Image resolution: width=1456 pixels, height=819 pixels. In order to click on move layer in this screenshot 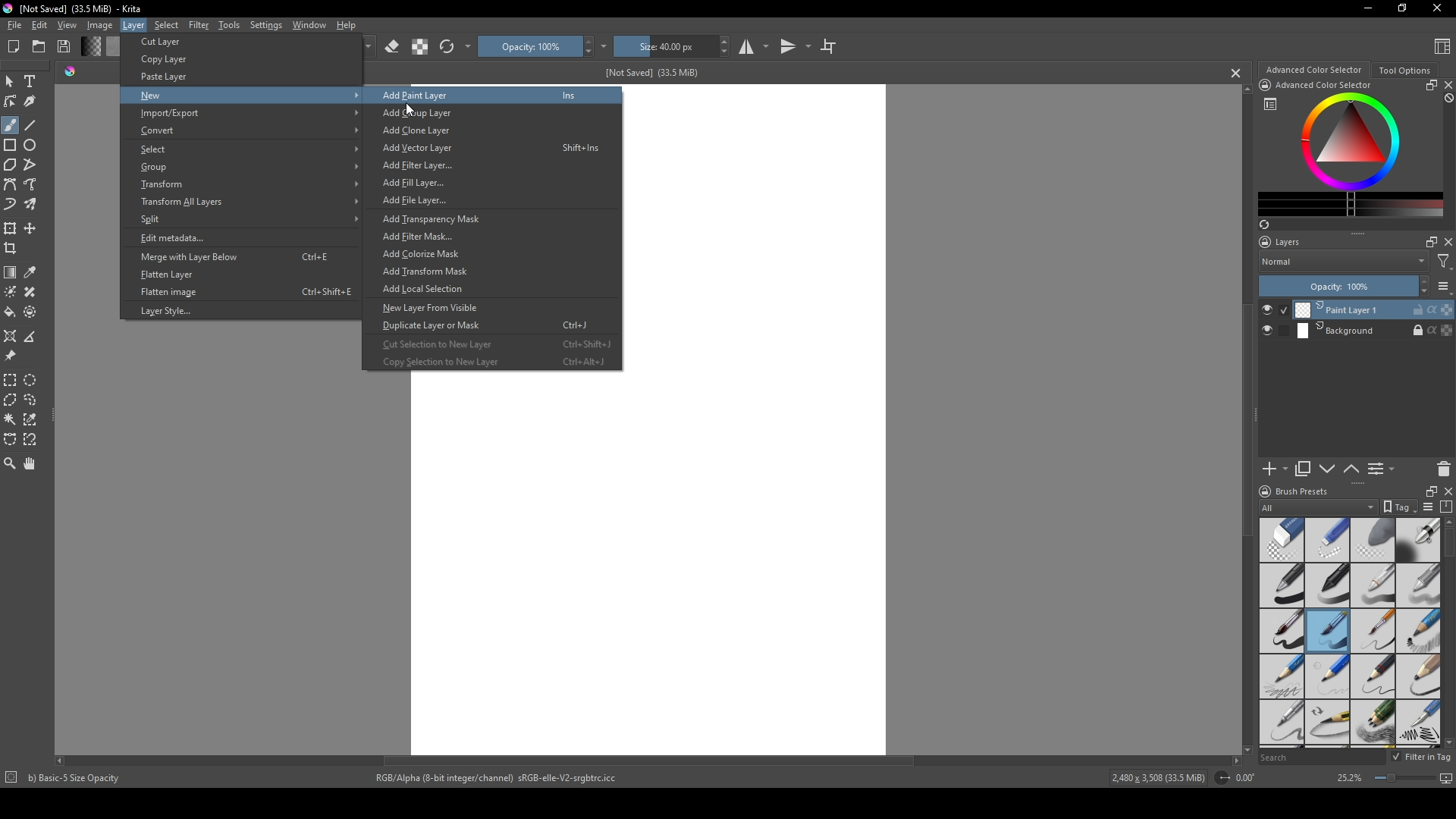, I will do `click(30, 228)`.